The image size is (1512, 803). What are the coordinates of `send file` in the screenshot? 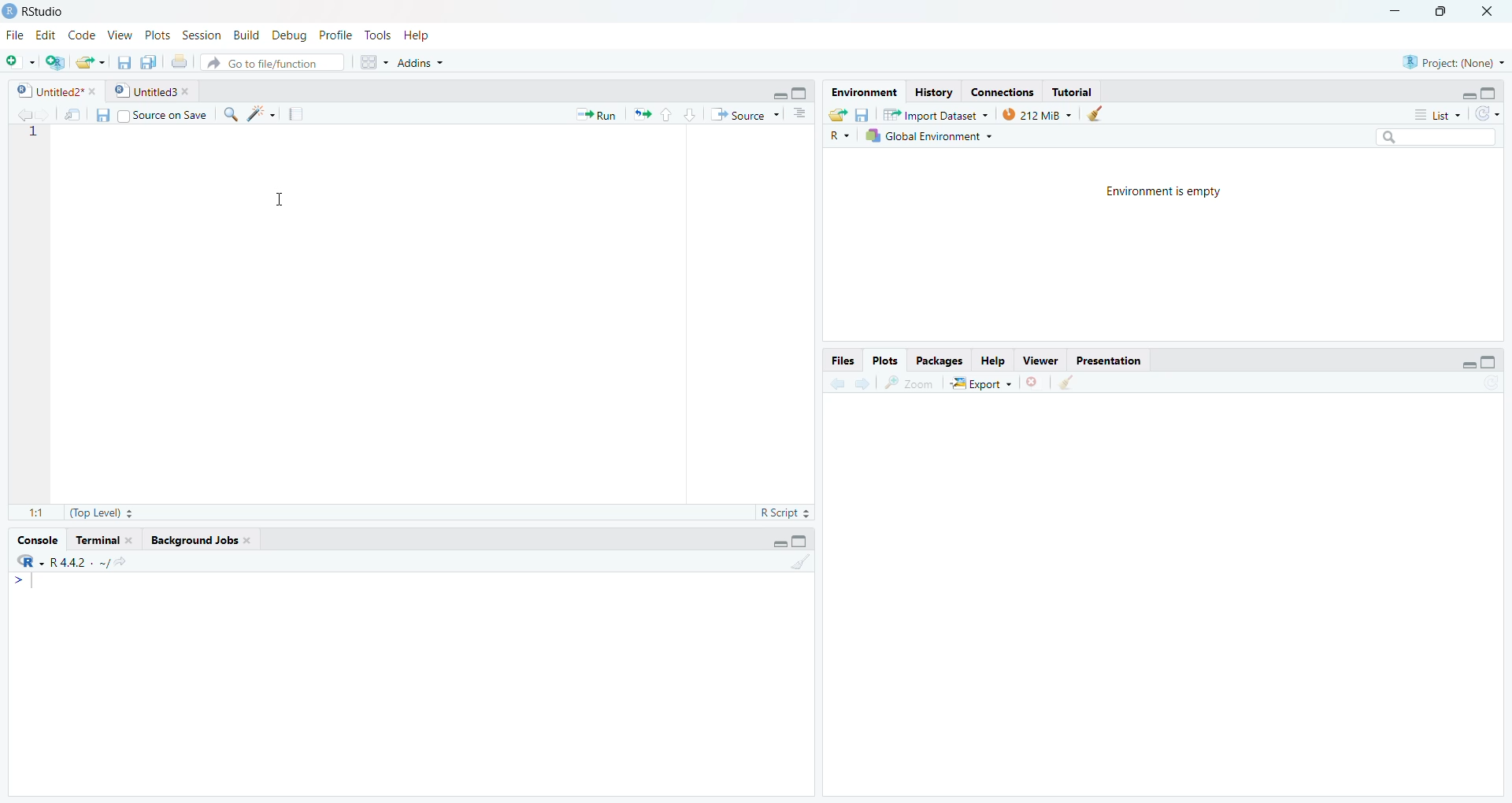 It's located at (72, 114).